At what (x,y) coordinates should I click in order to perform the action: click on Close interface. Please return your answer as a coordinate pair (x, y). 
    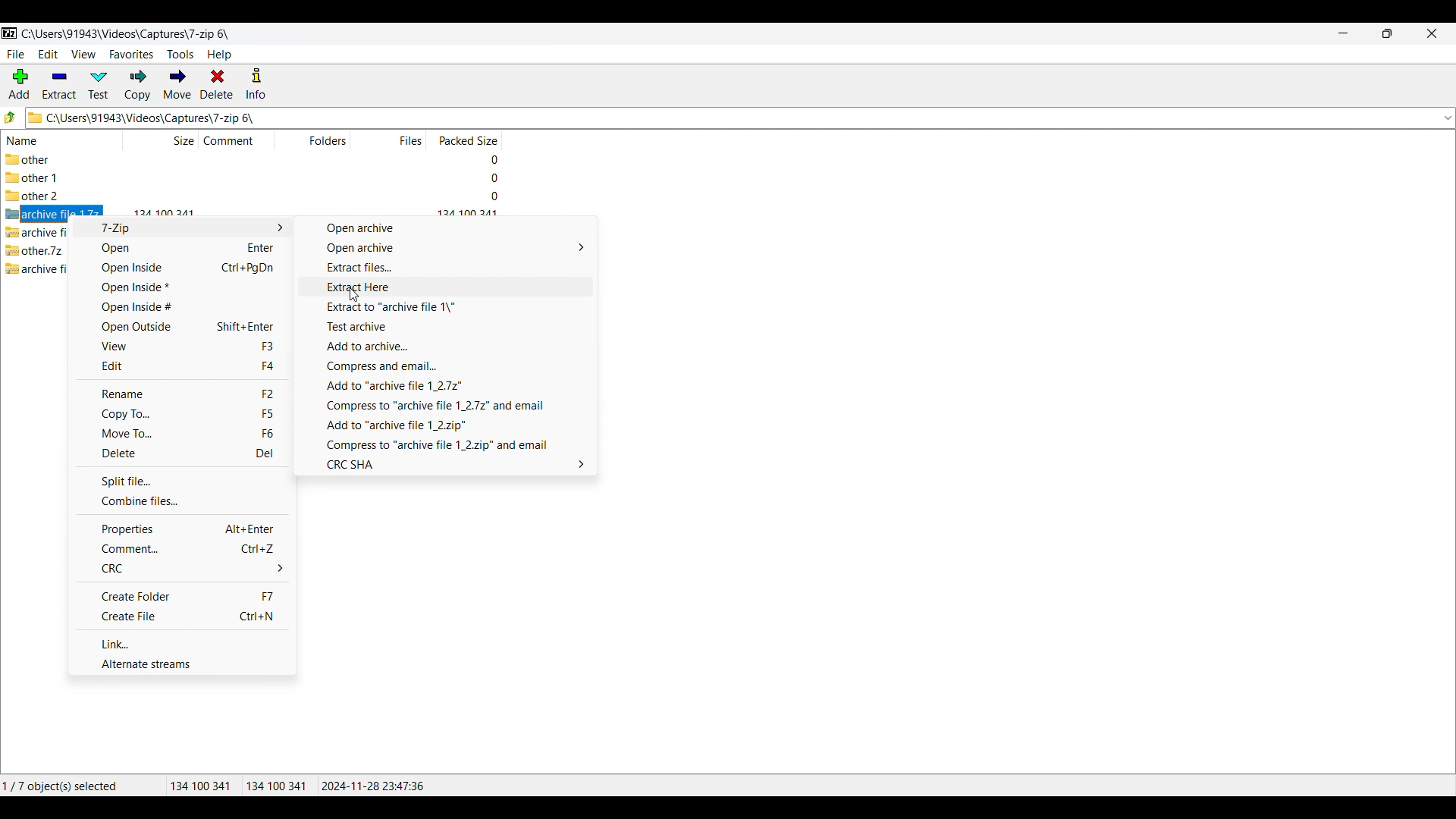
    Looking at the image, I should click on (1432, 33).